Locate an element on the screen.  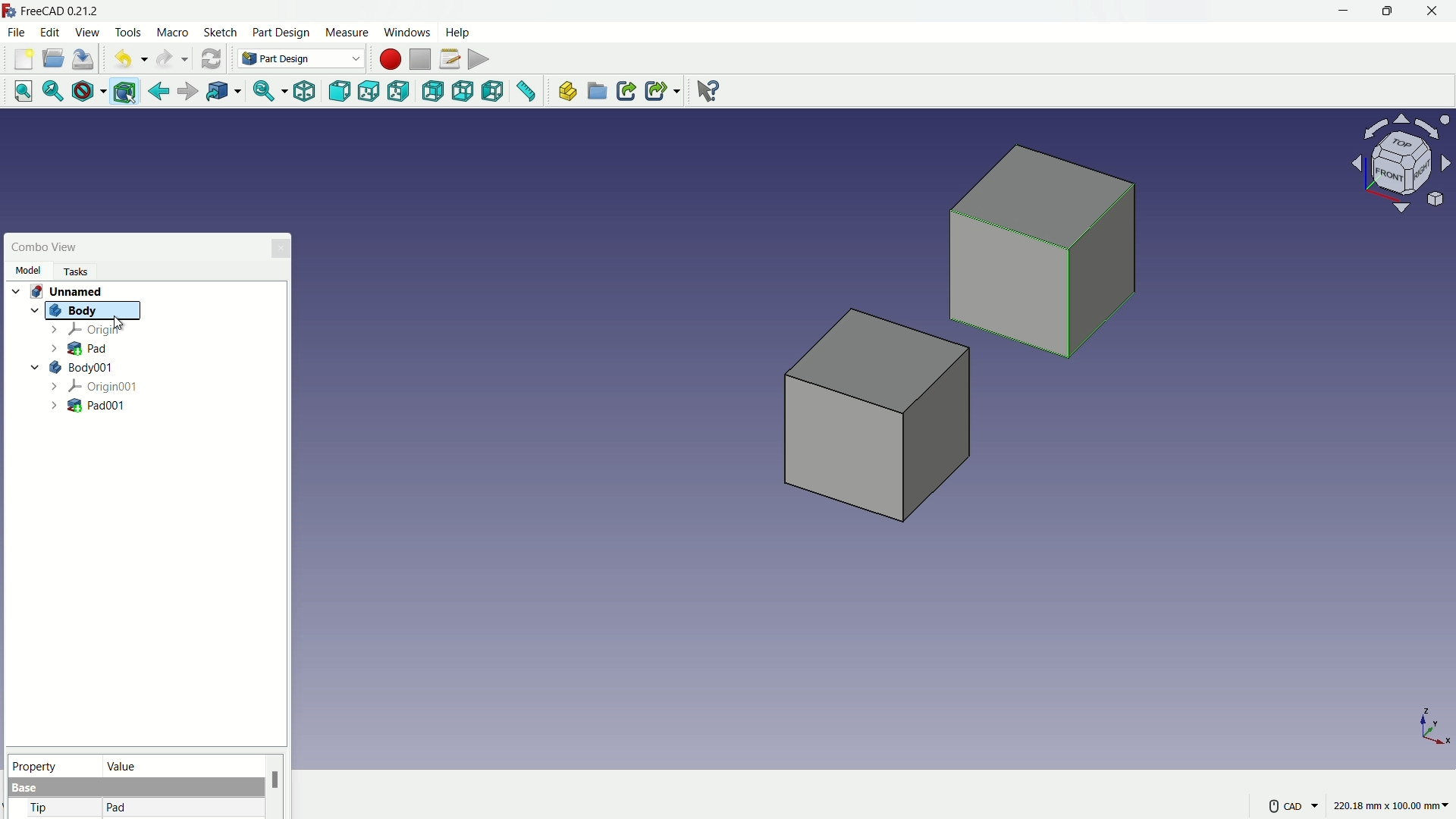
maximize or restore is located at coordinates (1385, 11).